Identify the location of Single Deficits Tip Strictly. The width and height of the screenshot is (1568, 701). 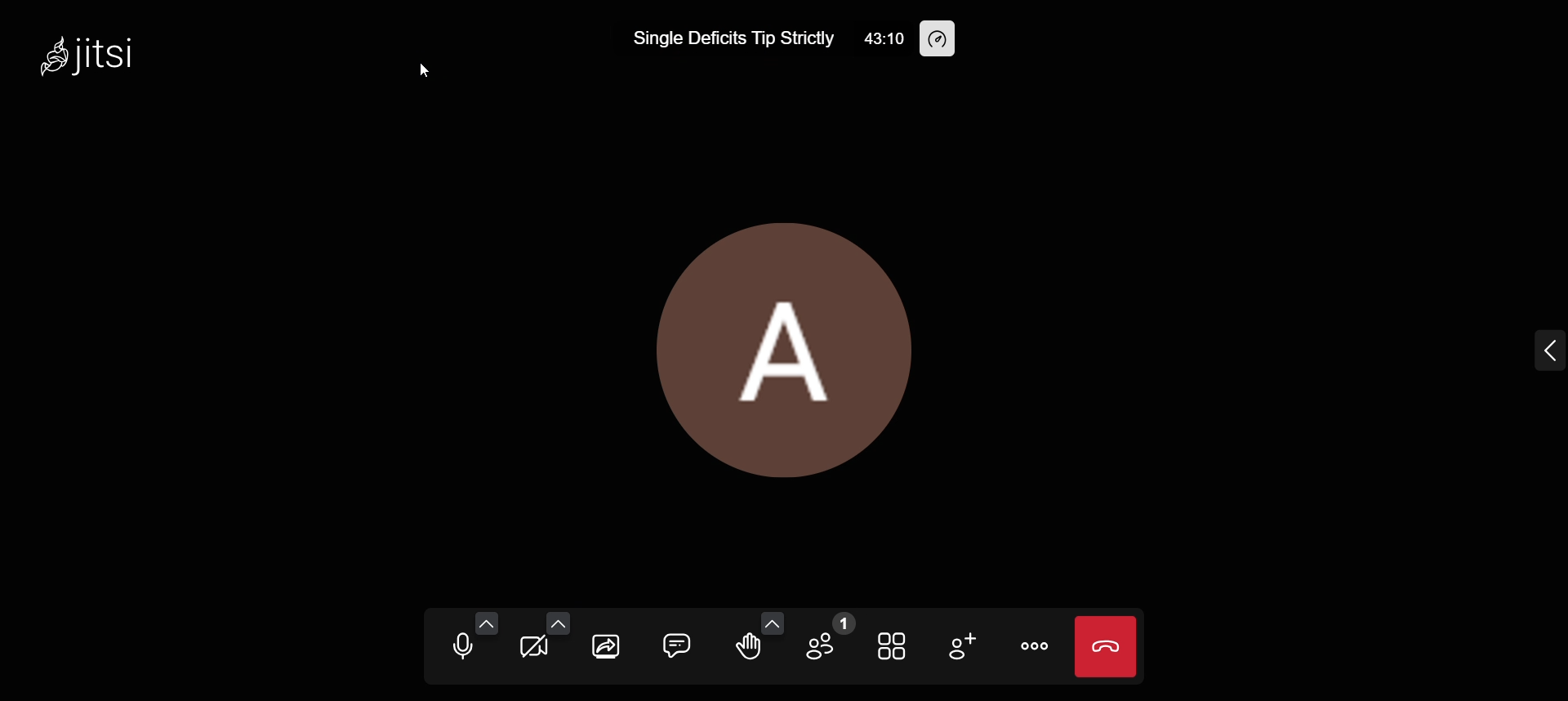
(729, 40).